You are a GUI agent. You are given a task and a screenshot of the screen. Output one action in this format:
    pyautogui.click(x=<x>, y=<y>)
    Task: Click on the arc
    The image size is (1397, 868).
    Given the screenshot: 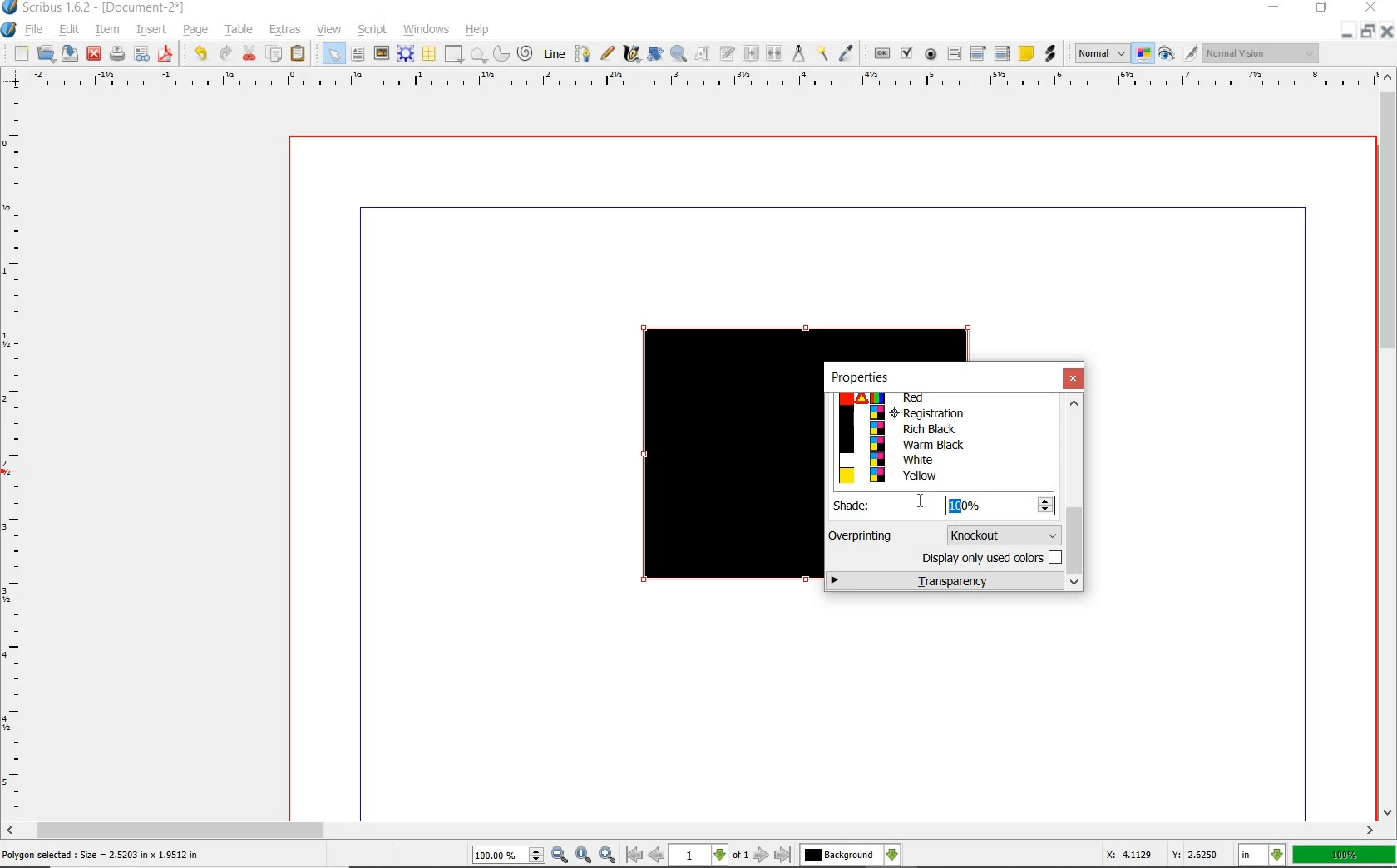 What is the action you would take?
    pyautogui.click(x=501, y=55)
    